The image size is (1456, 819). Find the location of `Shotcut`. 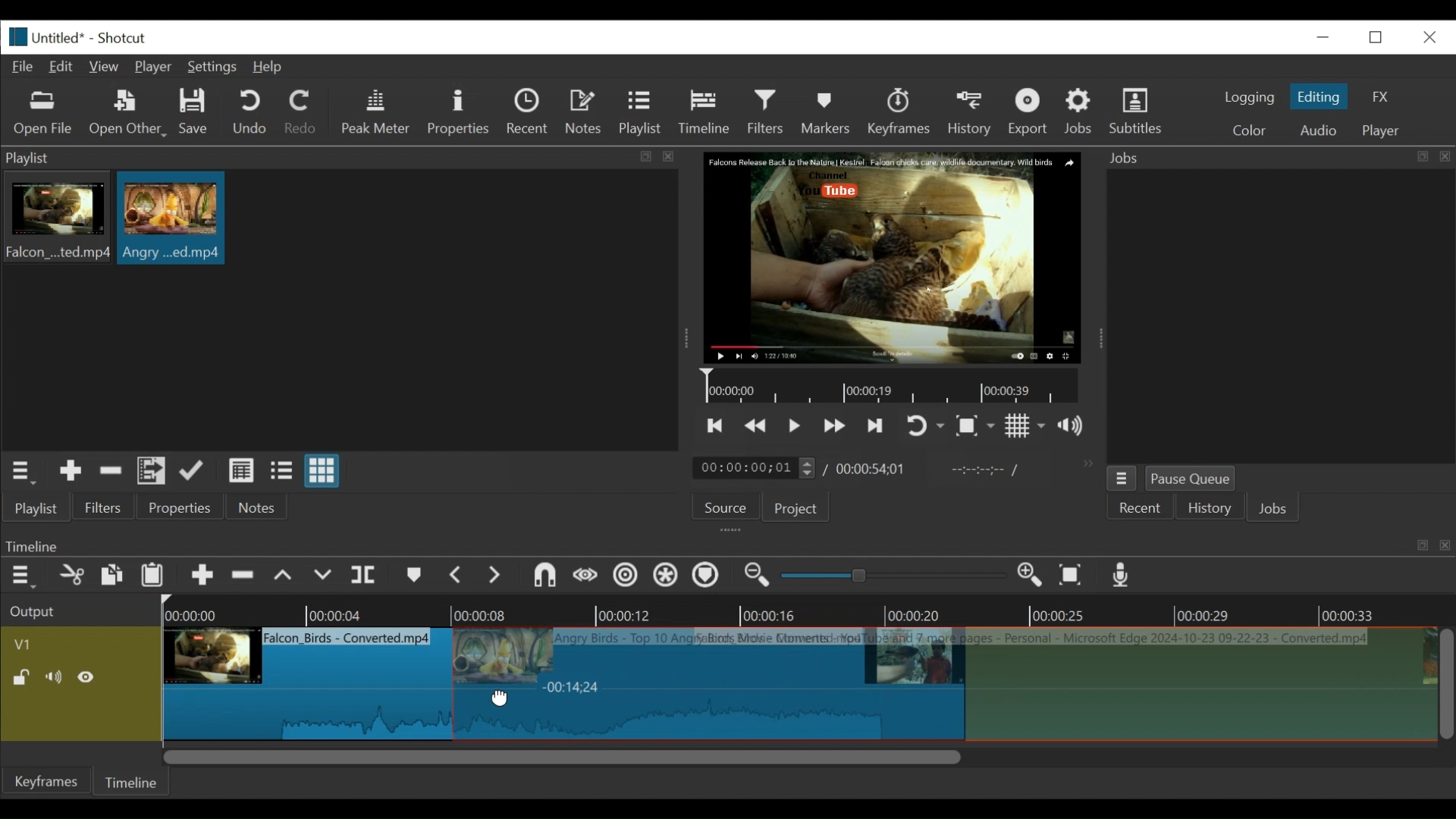

Shotcut is located at coordinates (121, 39).